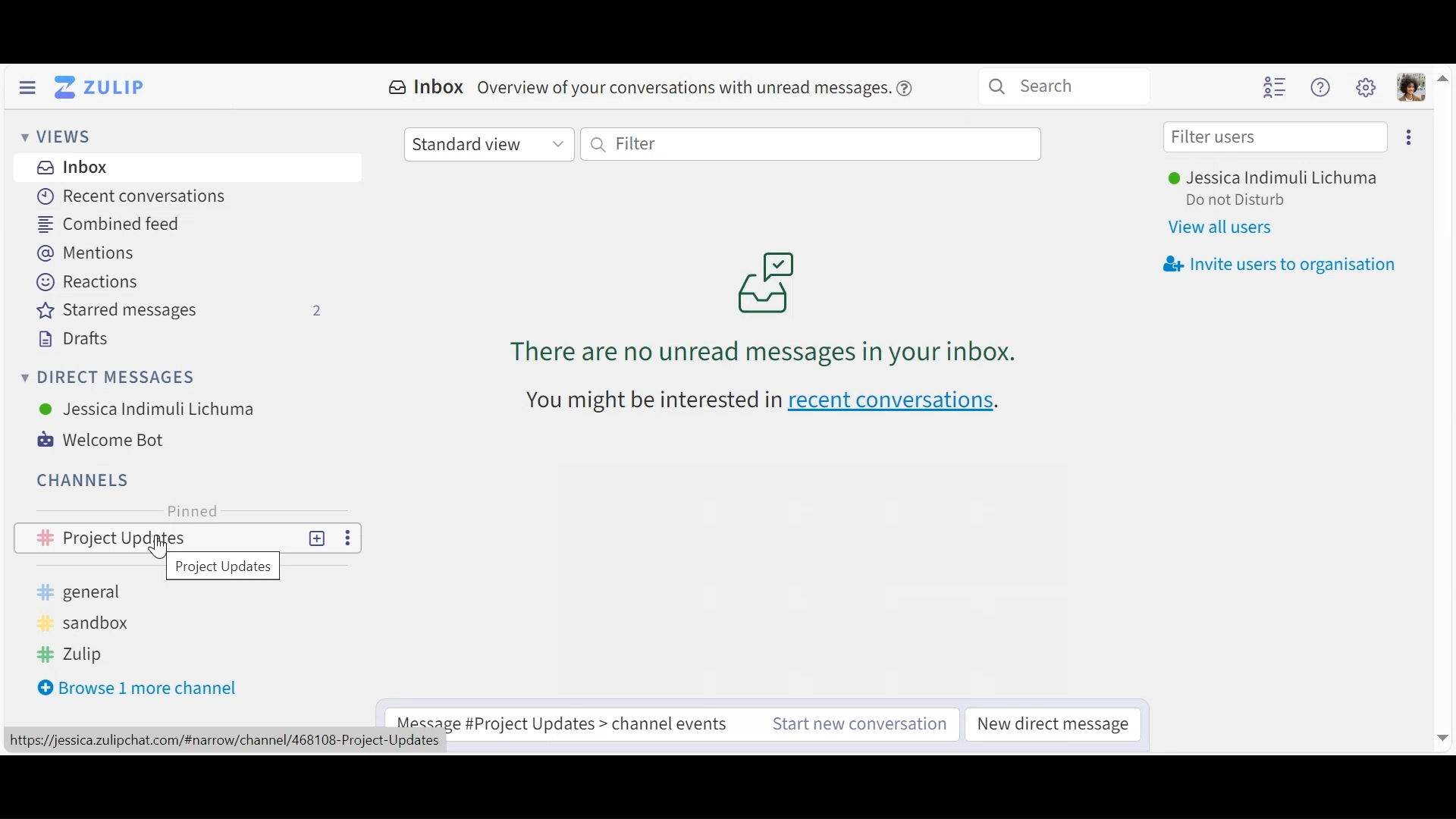 The image size is (1456, 819). What do you see at coordinates (193, 510) in the screenshot?
I see `pinned` at bounding box center [193, 510].